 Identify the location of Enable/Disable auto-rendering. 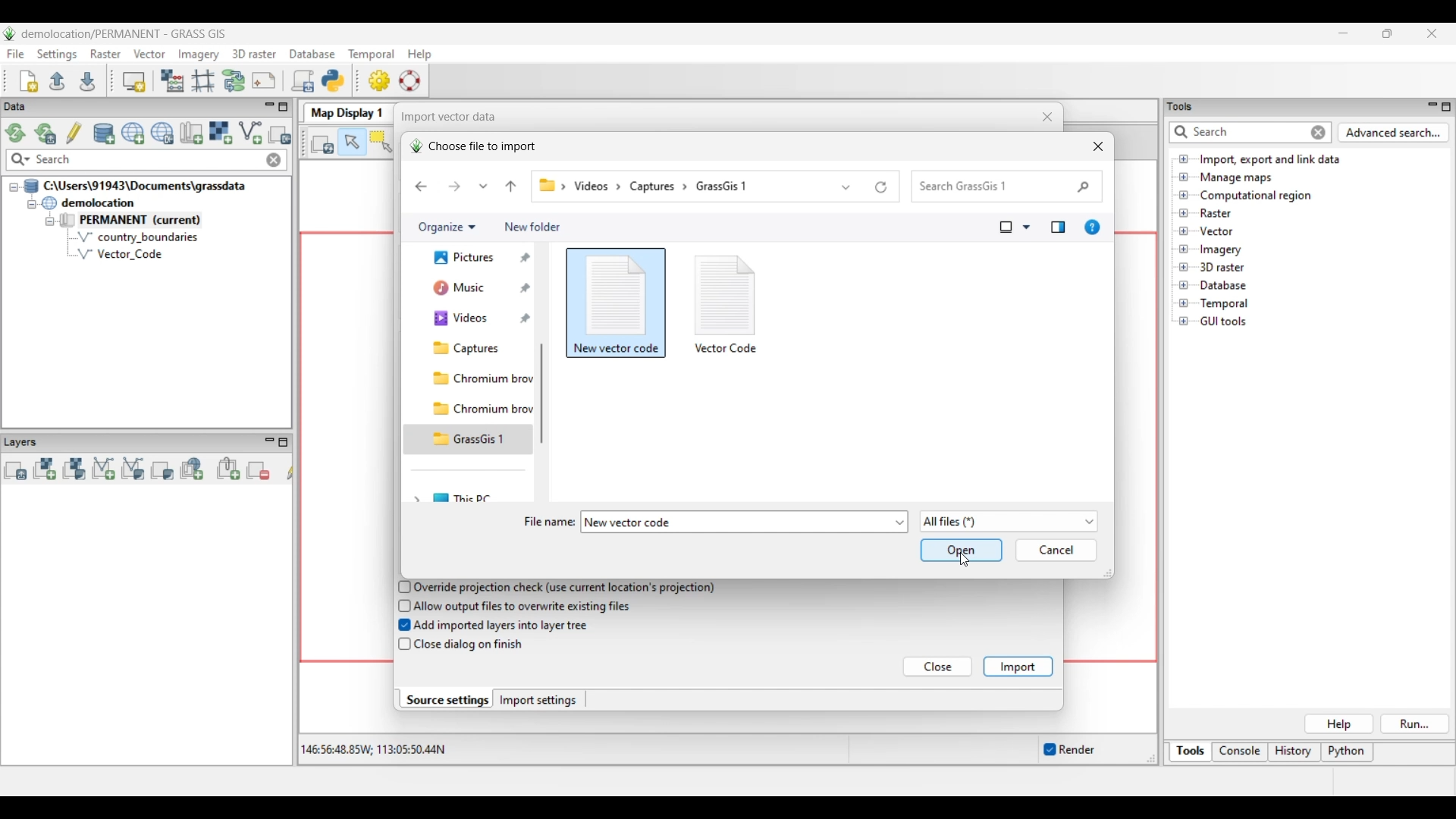
(1068, 750).